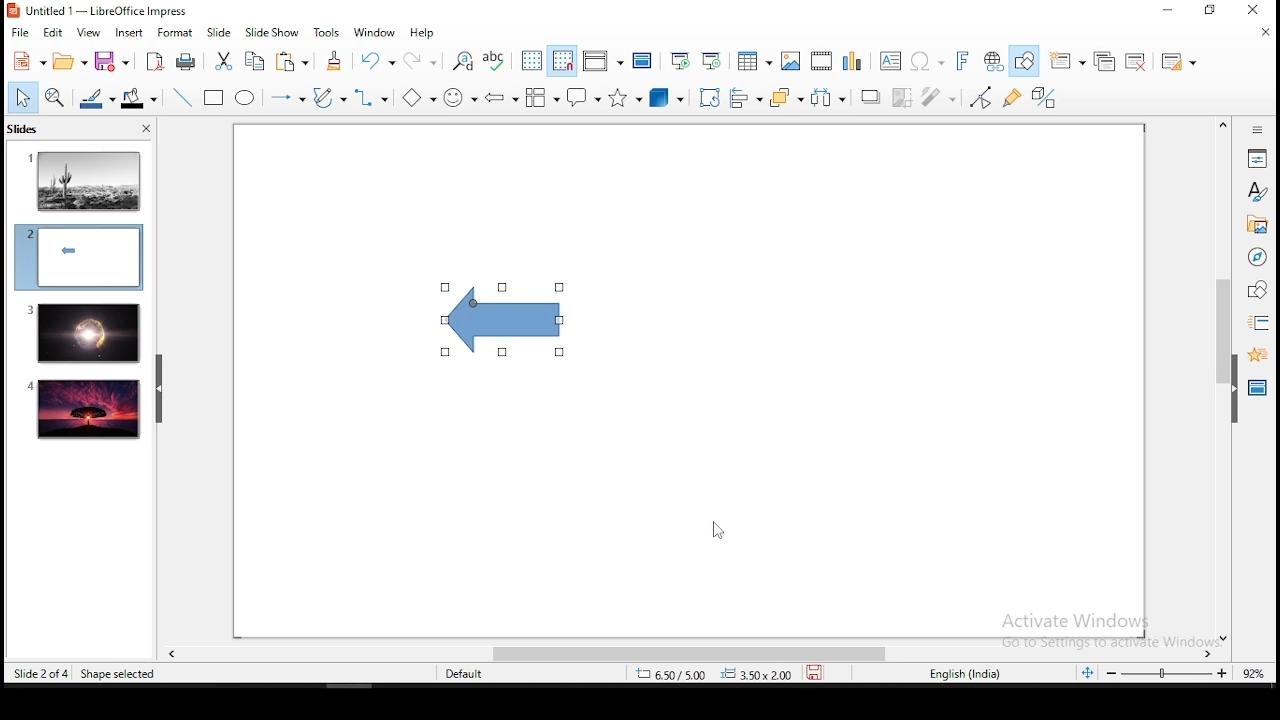 The width and height of the screenshot is (1280, 720). What do you see at coordinates (961, 62) in the screenshot?
I see `fontwork text` at bounding box center [961, 62].